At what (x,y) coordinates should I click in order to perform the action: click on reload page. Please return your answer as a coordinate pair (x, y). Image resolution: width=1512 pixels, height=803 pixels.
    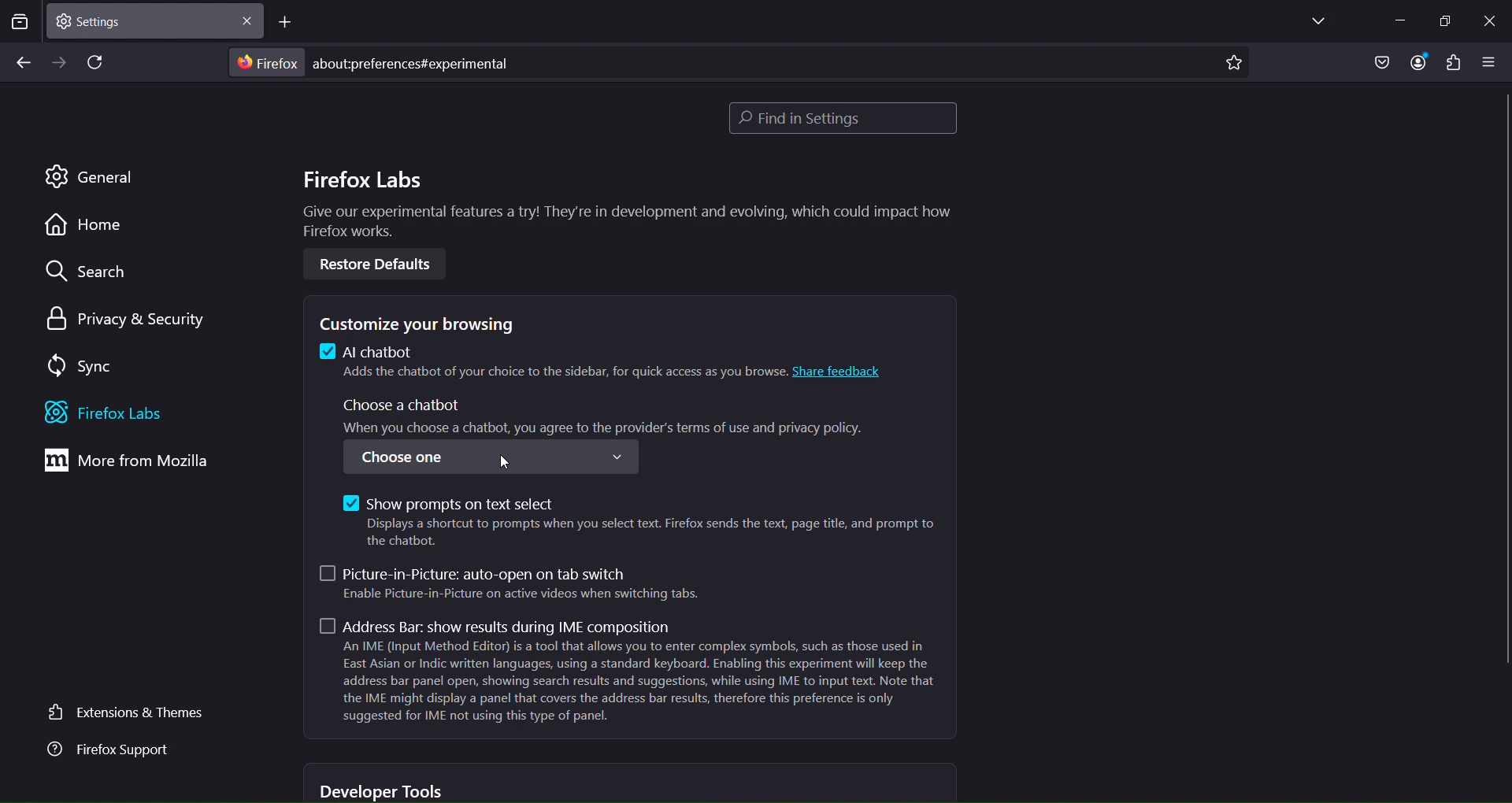
    Looking at the image, I should click on (98, 64).